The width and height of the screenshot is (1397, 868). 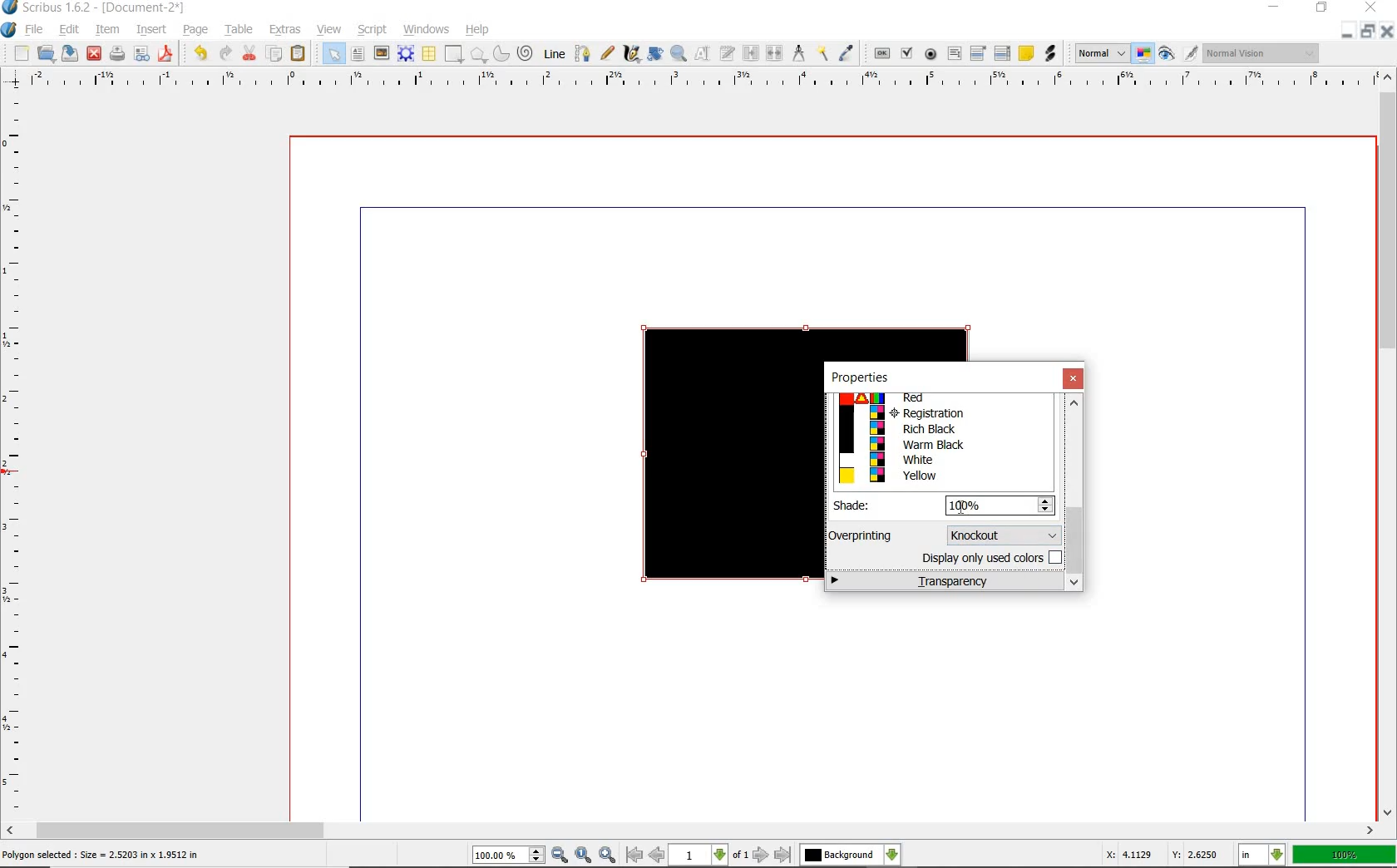 I want to click on link text frames, so click(x=749, y=55).